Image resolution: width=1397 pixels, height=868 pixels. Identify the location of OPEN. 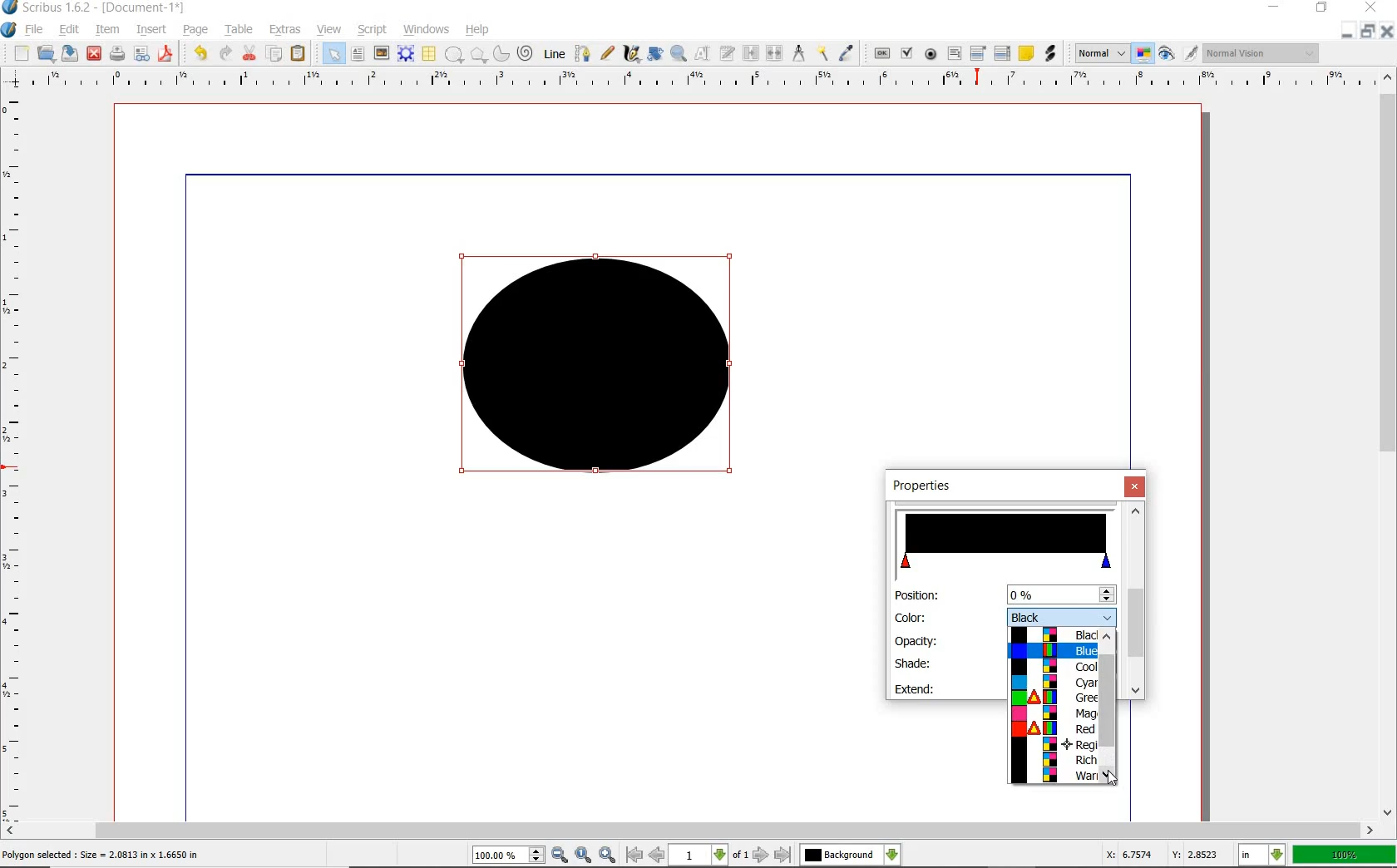
(46, 52).